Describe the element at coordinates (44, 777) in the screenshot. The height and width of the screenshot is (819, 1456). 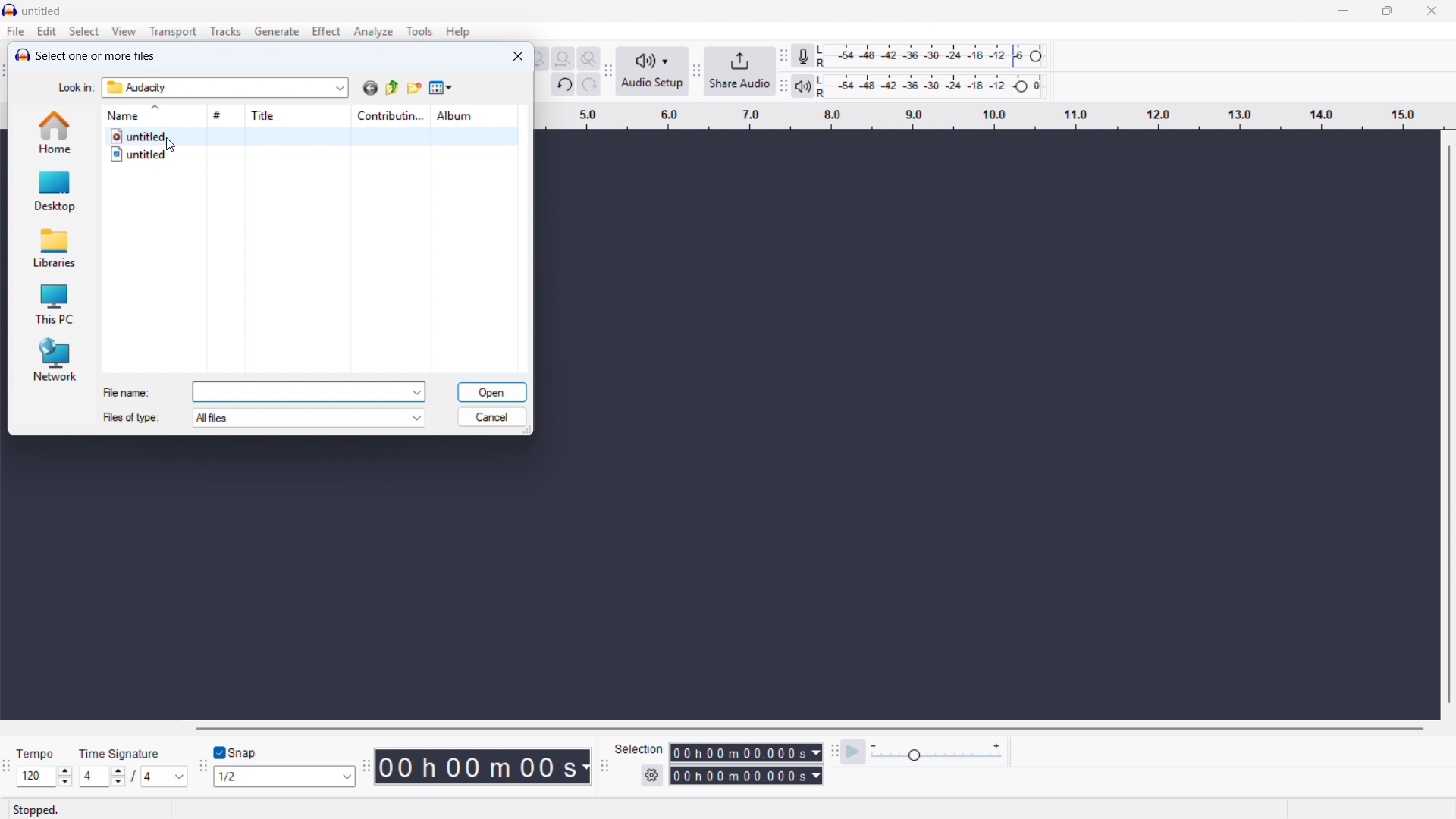
I see `Set tempo ` at that location.